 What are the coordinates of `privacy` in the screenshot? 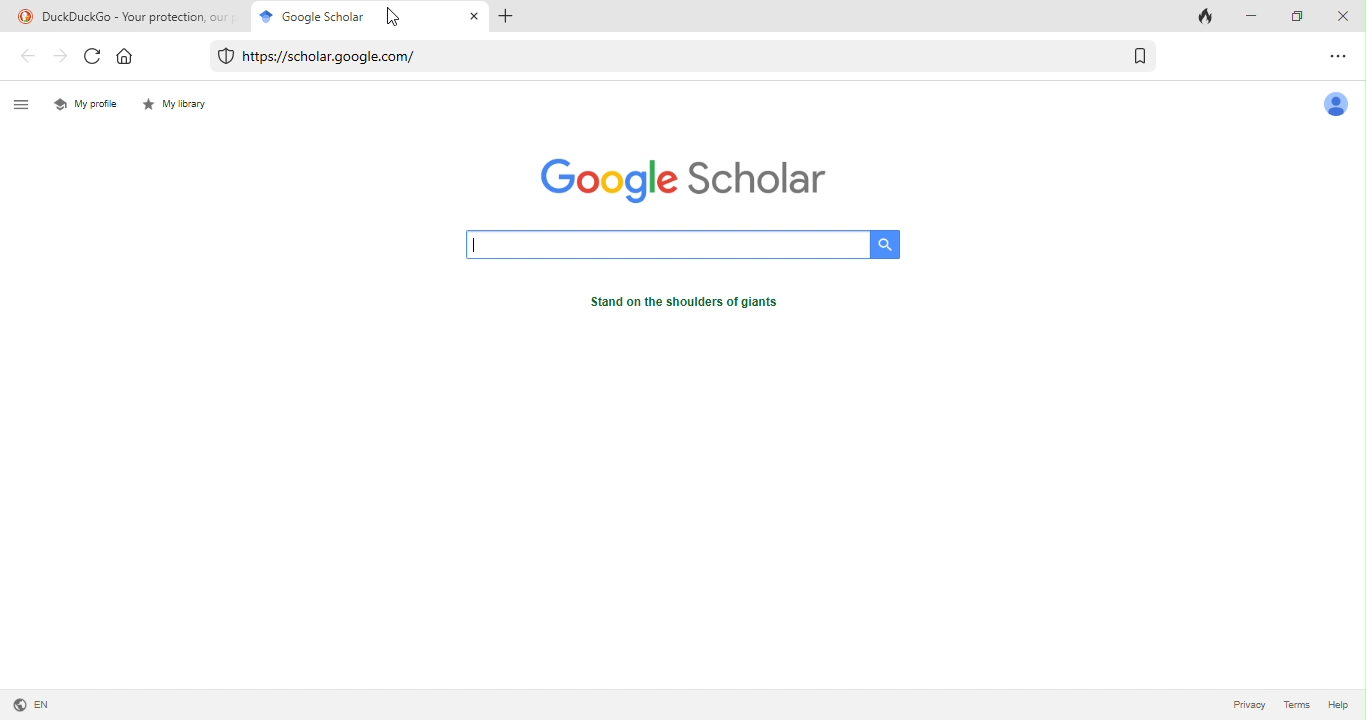 It's located at (1249, 707).